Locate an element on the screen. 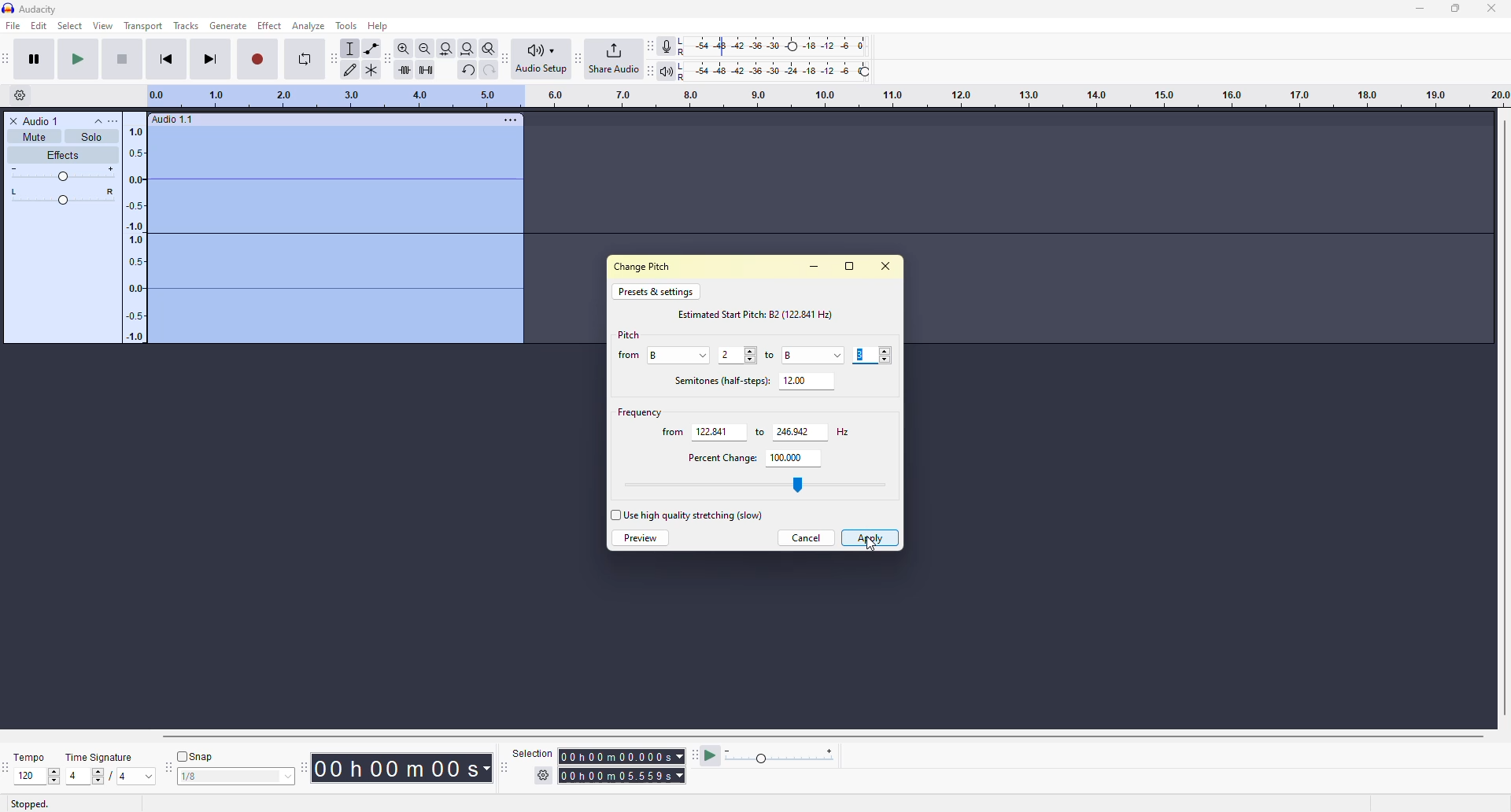 This screenshot has width=1511, height=812. redo is located at coordinates (489, 70).